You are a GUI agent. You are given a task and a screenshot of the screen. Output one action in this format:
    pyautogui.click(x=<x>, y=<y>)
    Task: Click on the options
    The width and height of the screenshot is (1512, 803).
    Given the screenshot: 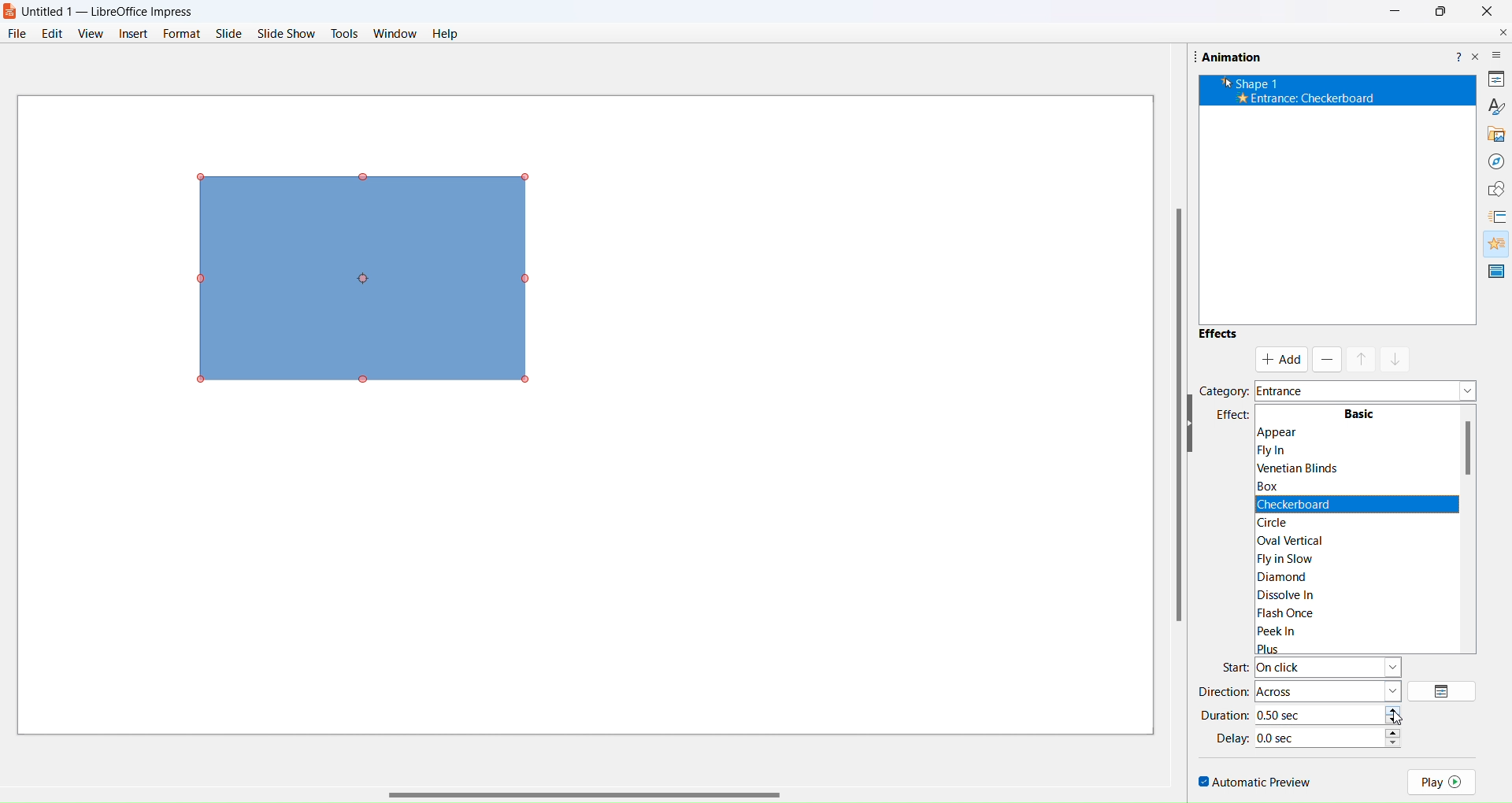 What is the action you would take?
    pyautogui.click(x=1444, y=691)
    